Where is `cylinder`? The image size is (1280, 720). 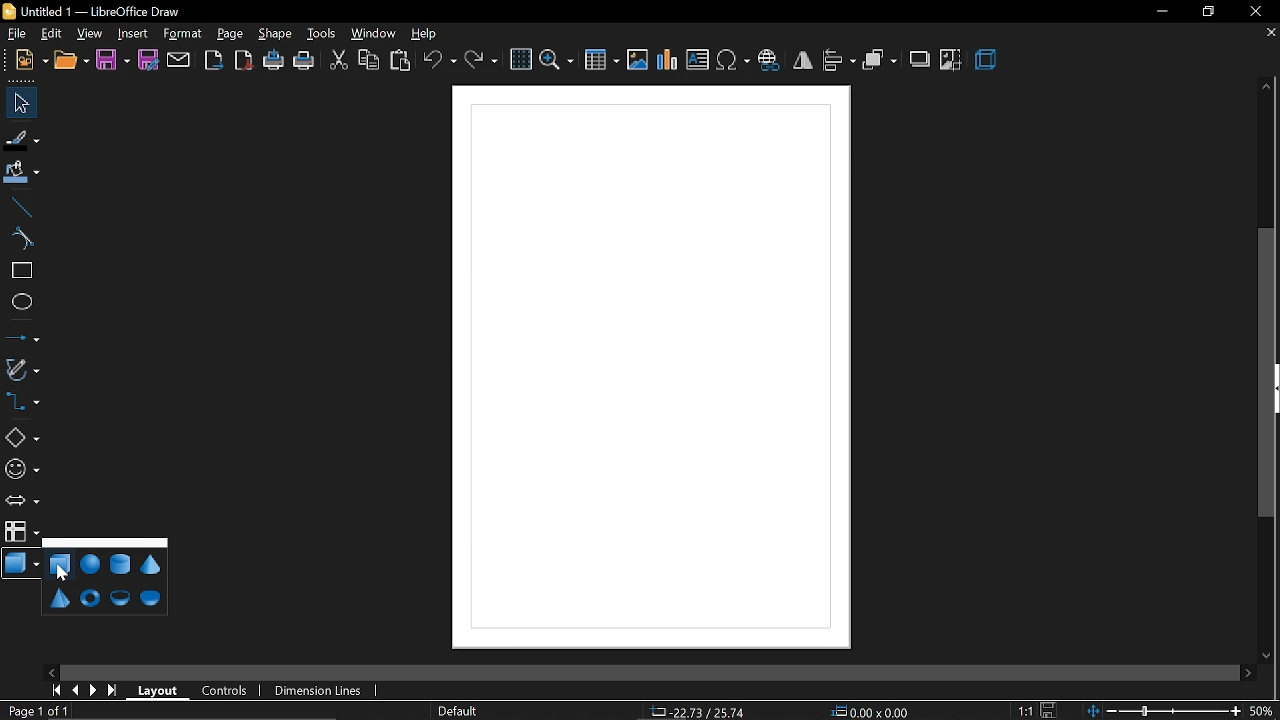 cylinder is located at coordinates (122, 563).